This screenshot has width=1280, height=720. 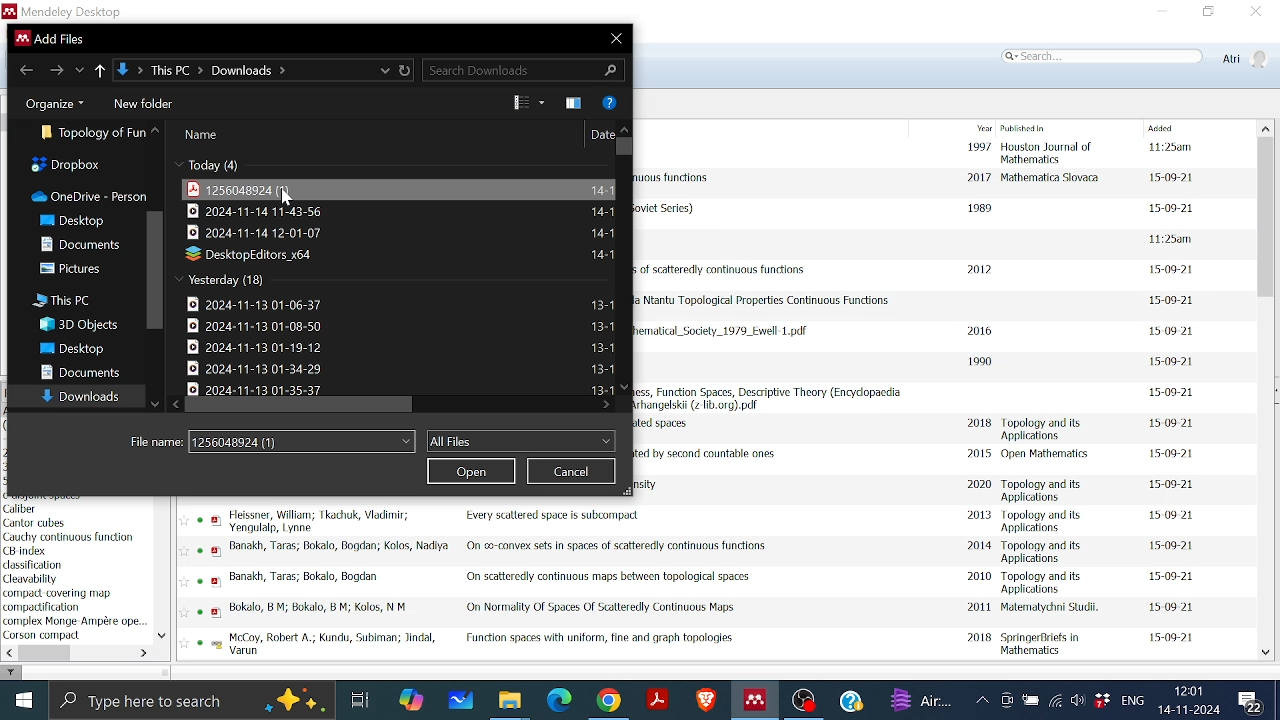 What do you see at coordinates (1052, 176) in the screenshot?
I see `Published in` at bounding box center [1052, 176].